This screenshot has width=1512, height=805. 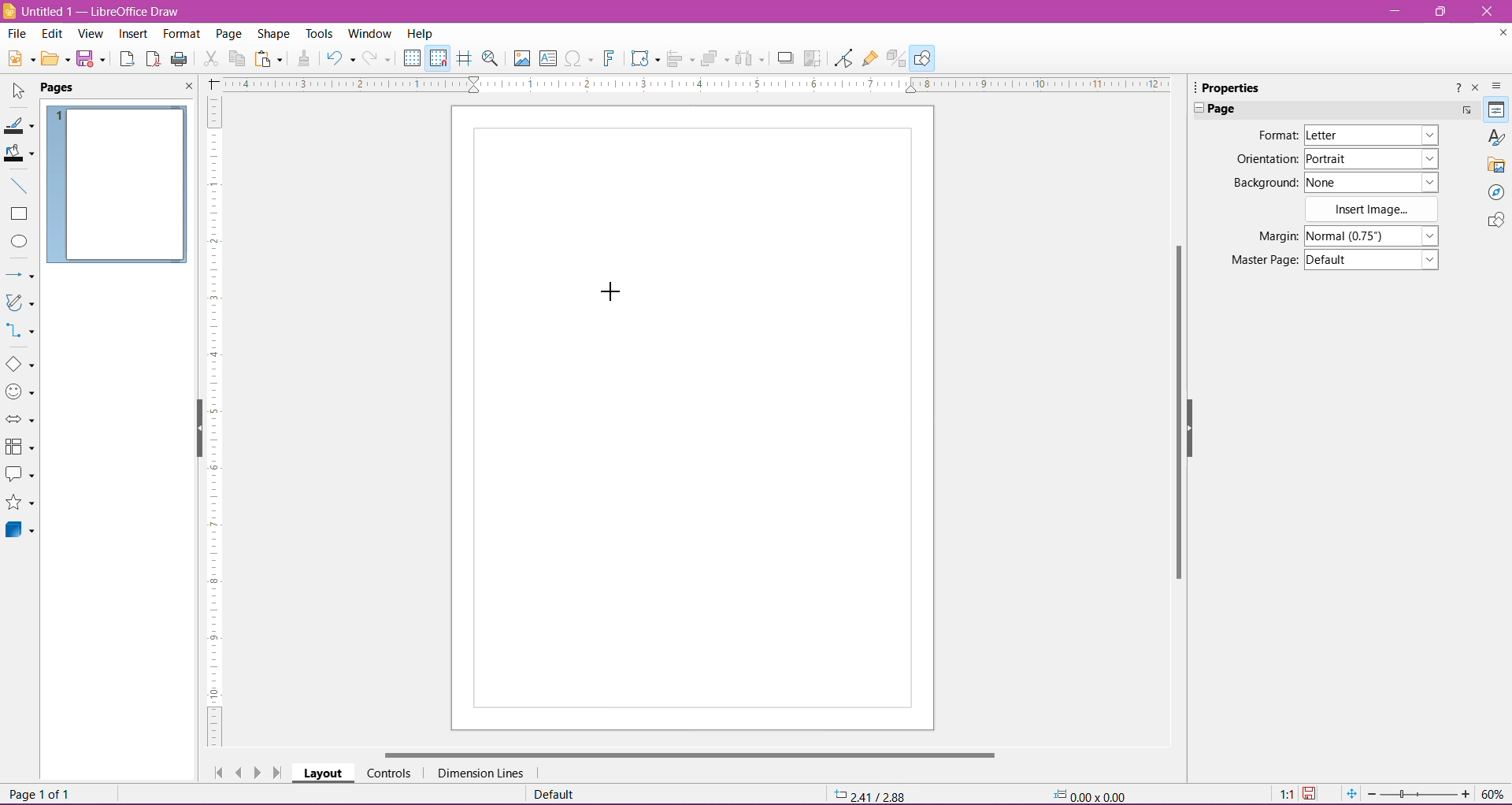 What do you see at coordinates (1372, 182) in the screenshot?
I see `Set page background` at bounding box center [1372, 182].